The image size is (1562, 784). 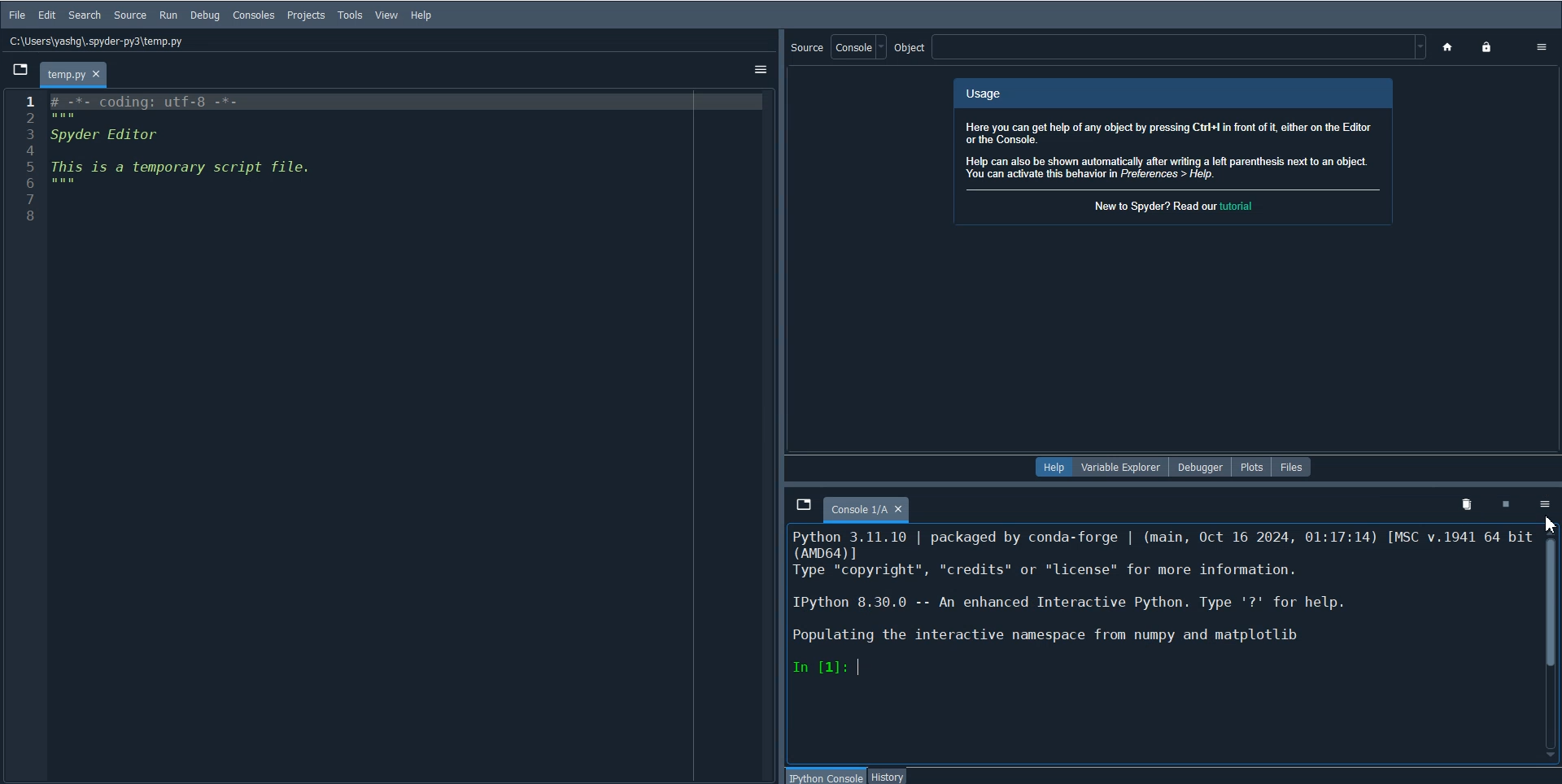 What do you see at coordinates (1468, 505) in the screenshot?
I see `Remove variables` at bounding box center [1468, 505].